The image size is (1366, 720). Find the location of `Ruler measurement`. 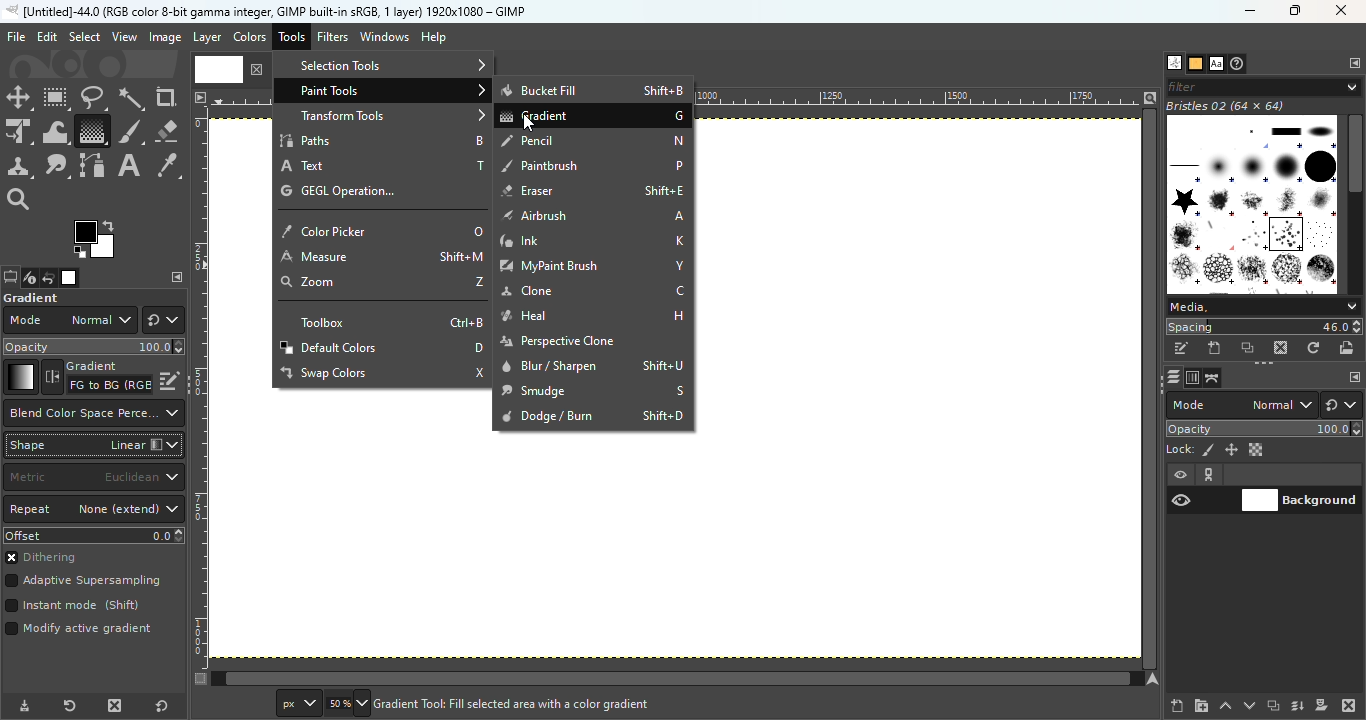

Ruler measurement is located at coordinates (295, 704).